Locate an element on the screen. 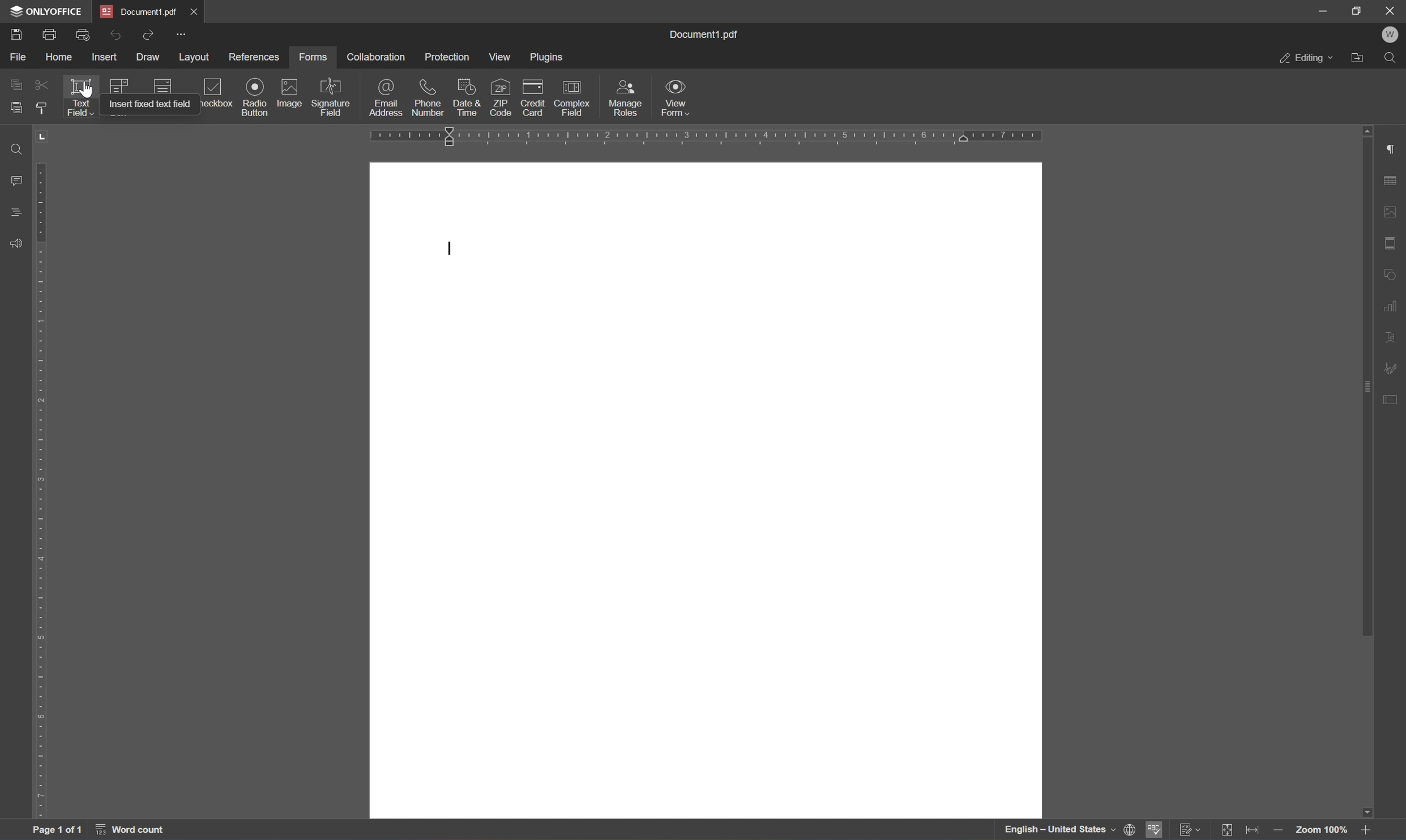 This screenshot has width=1406, height=840. plugins is located at coordinates (546, 57).